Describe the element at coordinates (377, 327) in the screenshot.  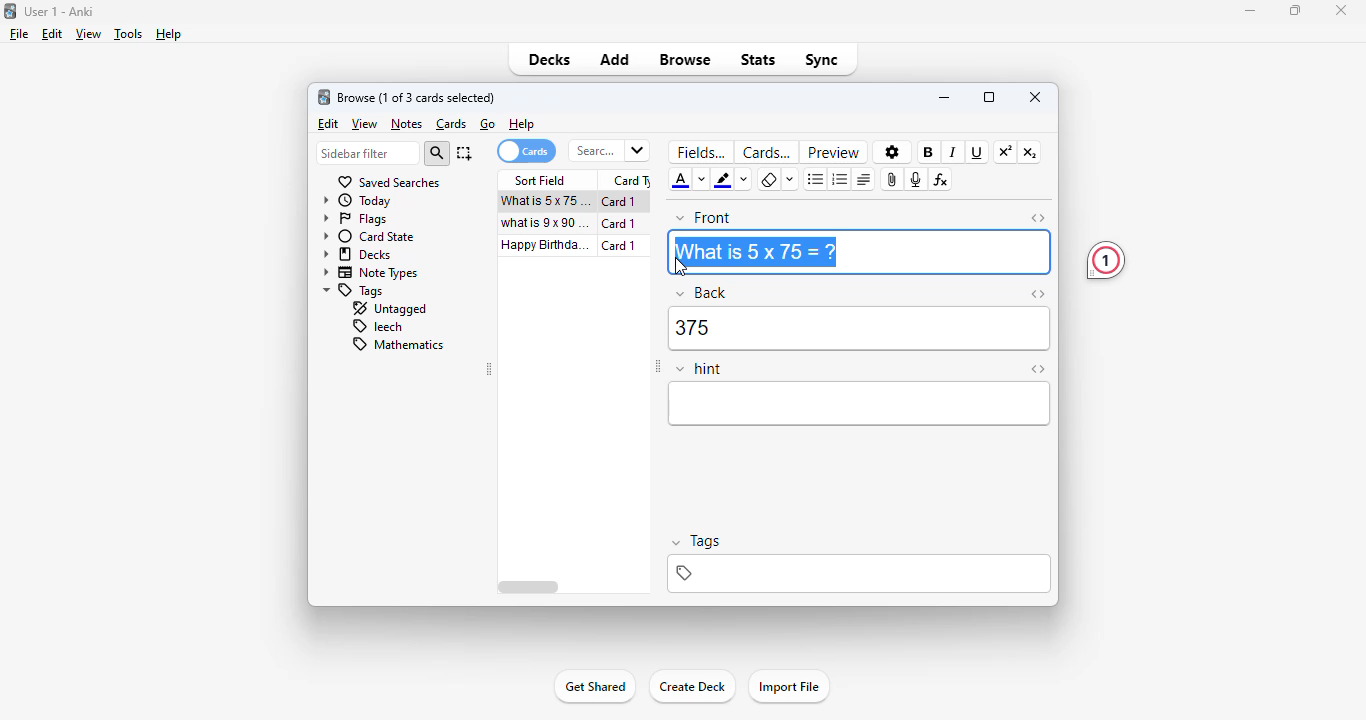
I see `leech` at that location.